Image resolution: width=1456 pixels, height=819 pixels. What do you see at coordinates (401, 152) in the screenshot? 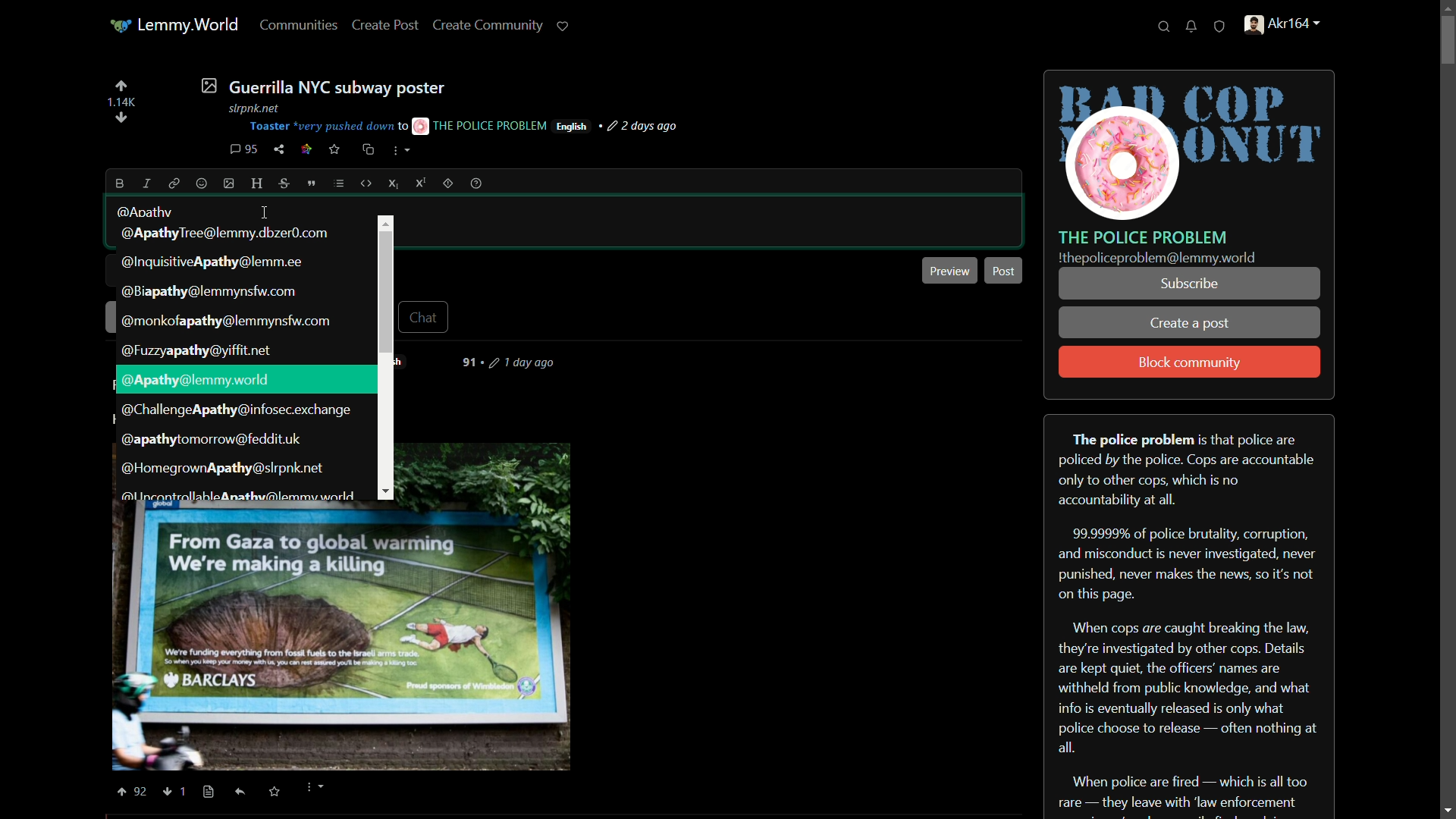
I see `more options` at bounding box center [401, 152].